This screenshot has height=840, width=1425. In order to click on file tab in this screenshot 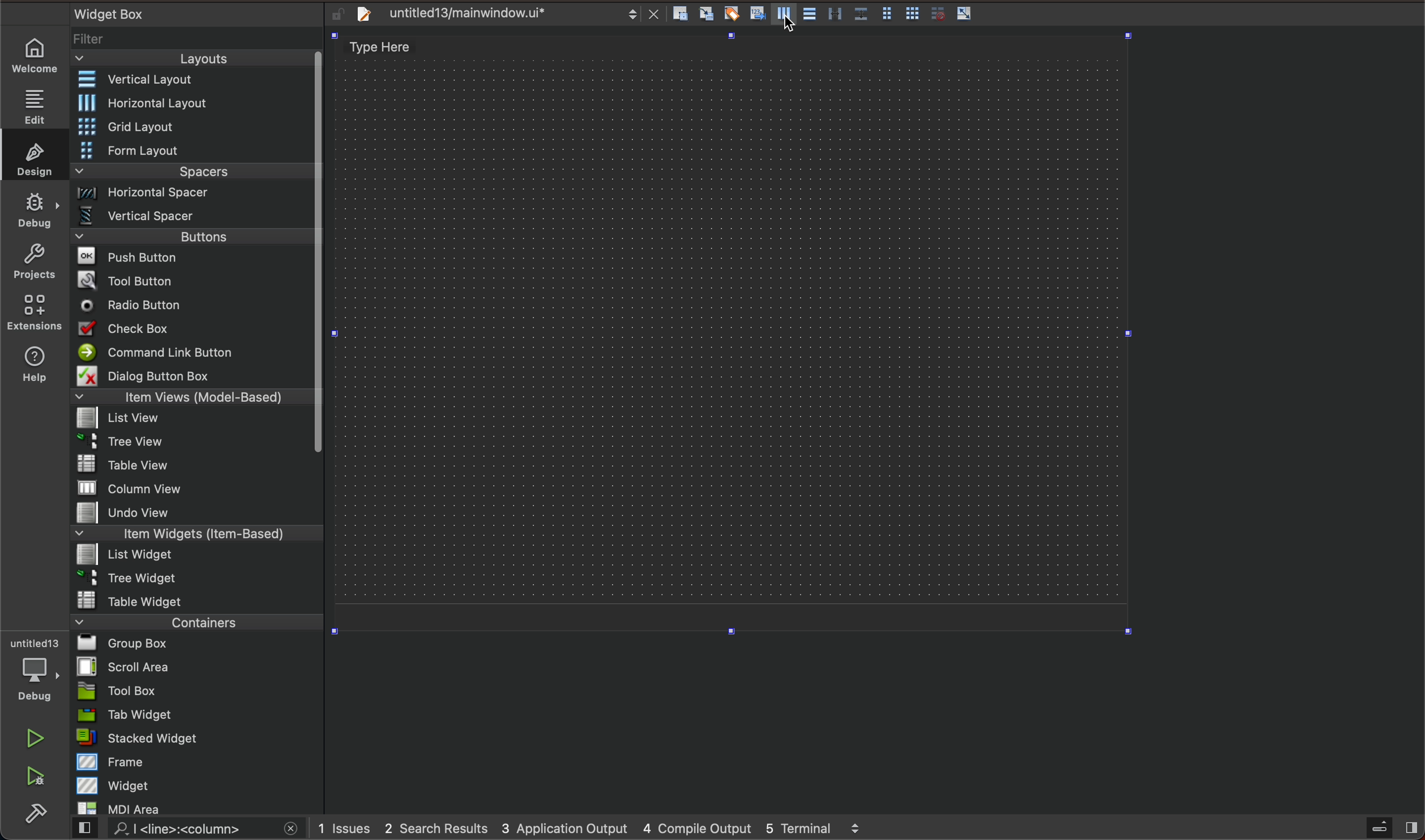, I will do `click(503, 16)`.